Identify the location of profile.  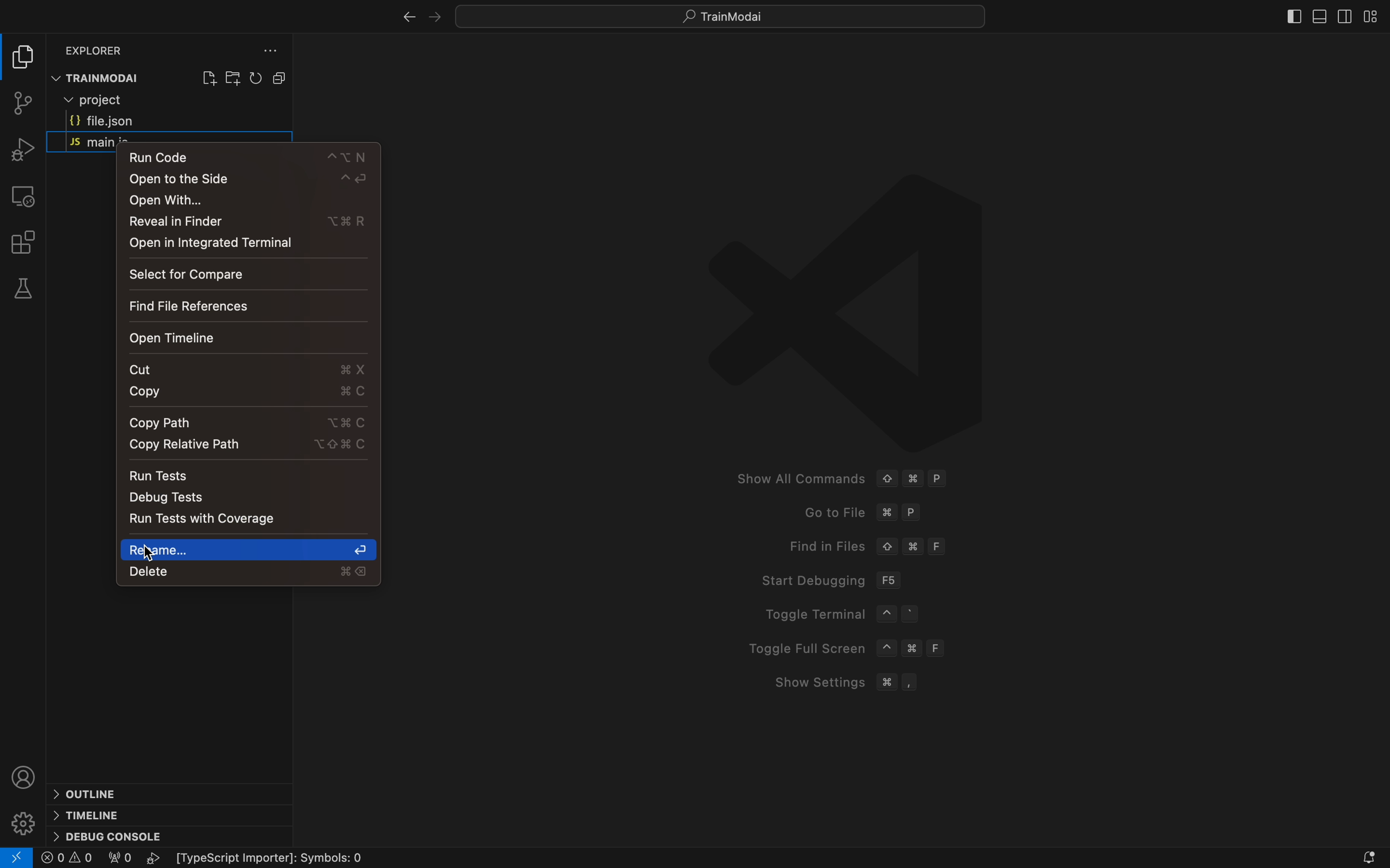
(24, 776).